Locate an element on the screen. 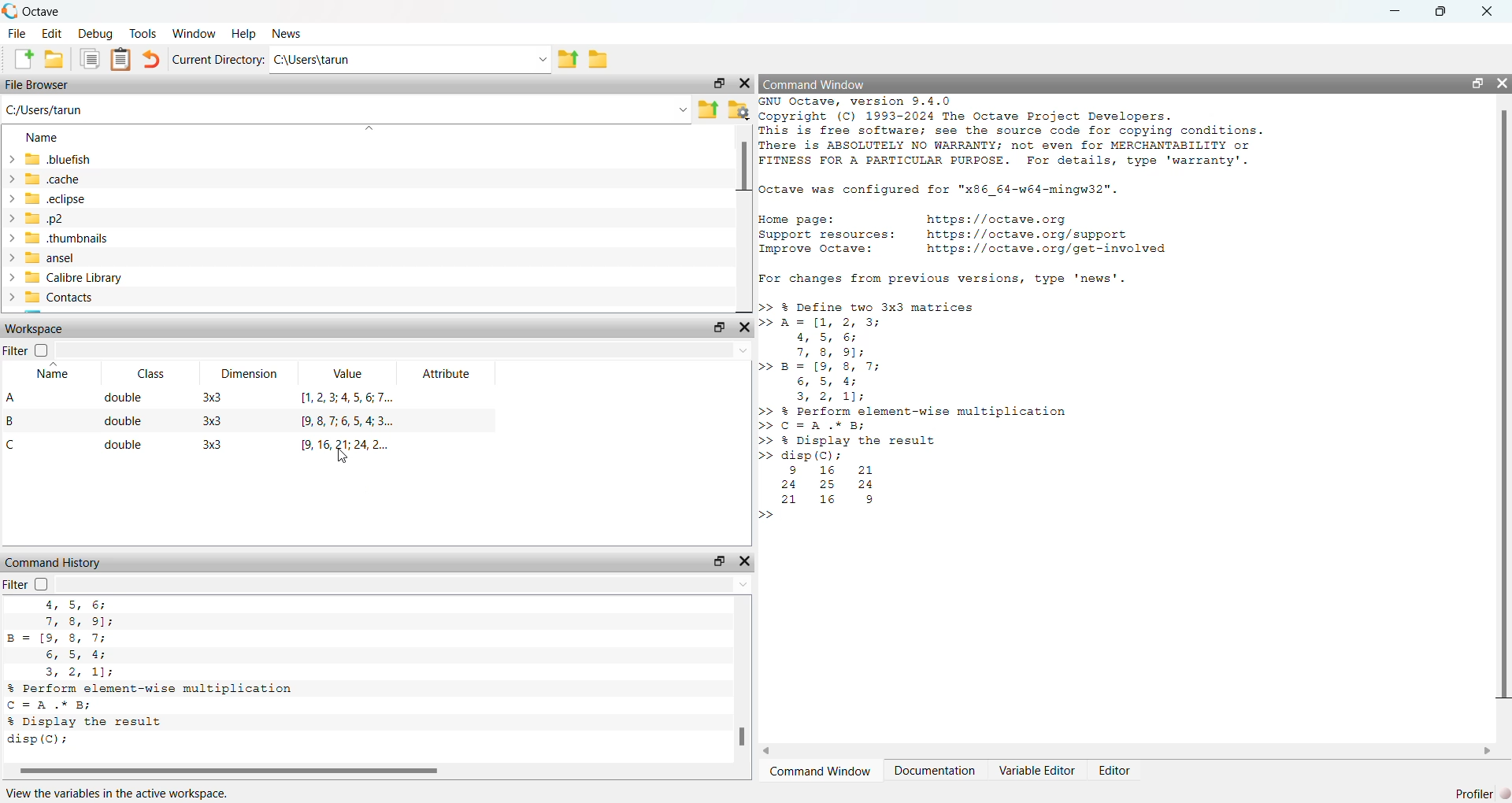 The height and width of the screenshot is (803, 1512). Current Directory: is located at coordinates (220, 61).